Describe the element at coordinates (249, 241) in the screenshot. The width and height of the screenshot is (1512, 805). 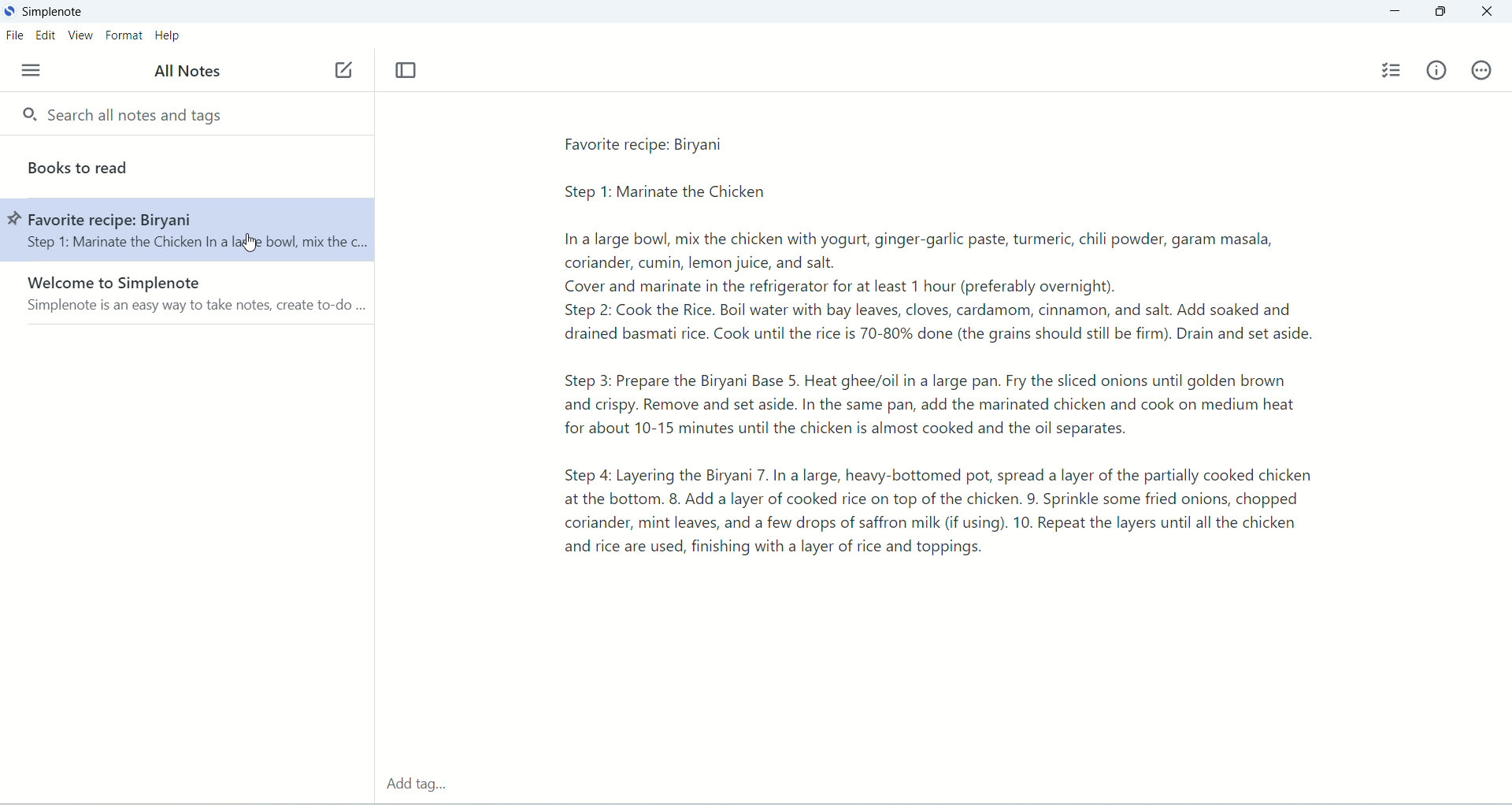
I see `cursor` at that location.